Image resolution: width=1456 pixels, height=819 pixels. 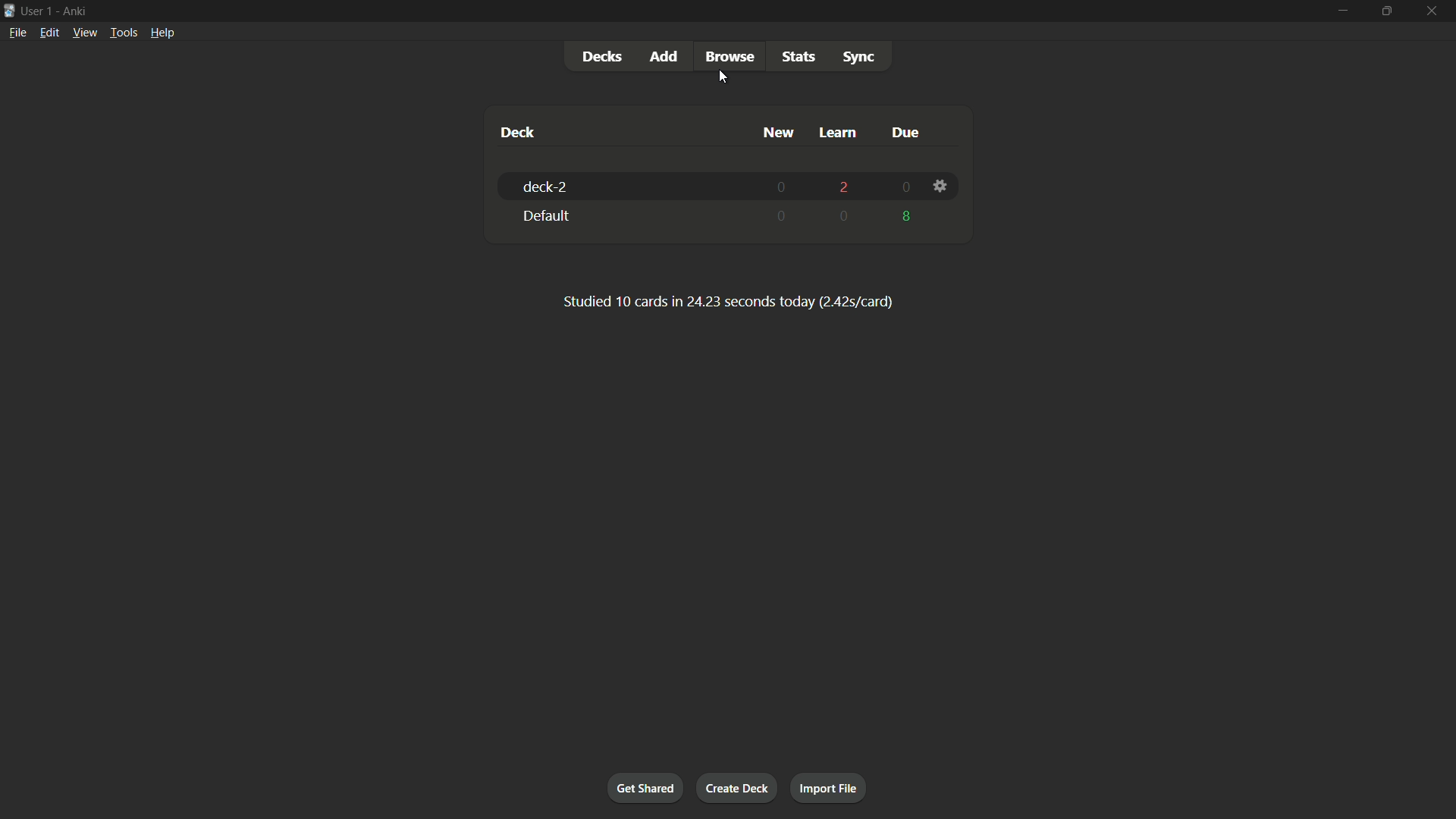 What do you see at coordinates (121, 33) in the screenshot?
I see `Tools menu` at bounding box center [121, 33].